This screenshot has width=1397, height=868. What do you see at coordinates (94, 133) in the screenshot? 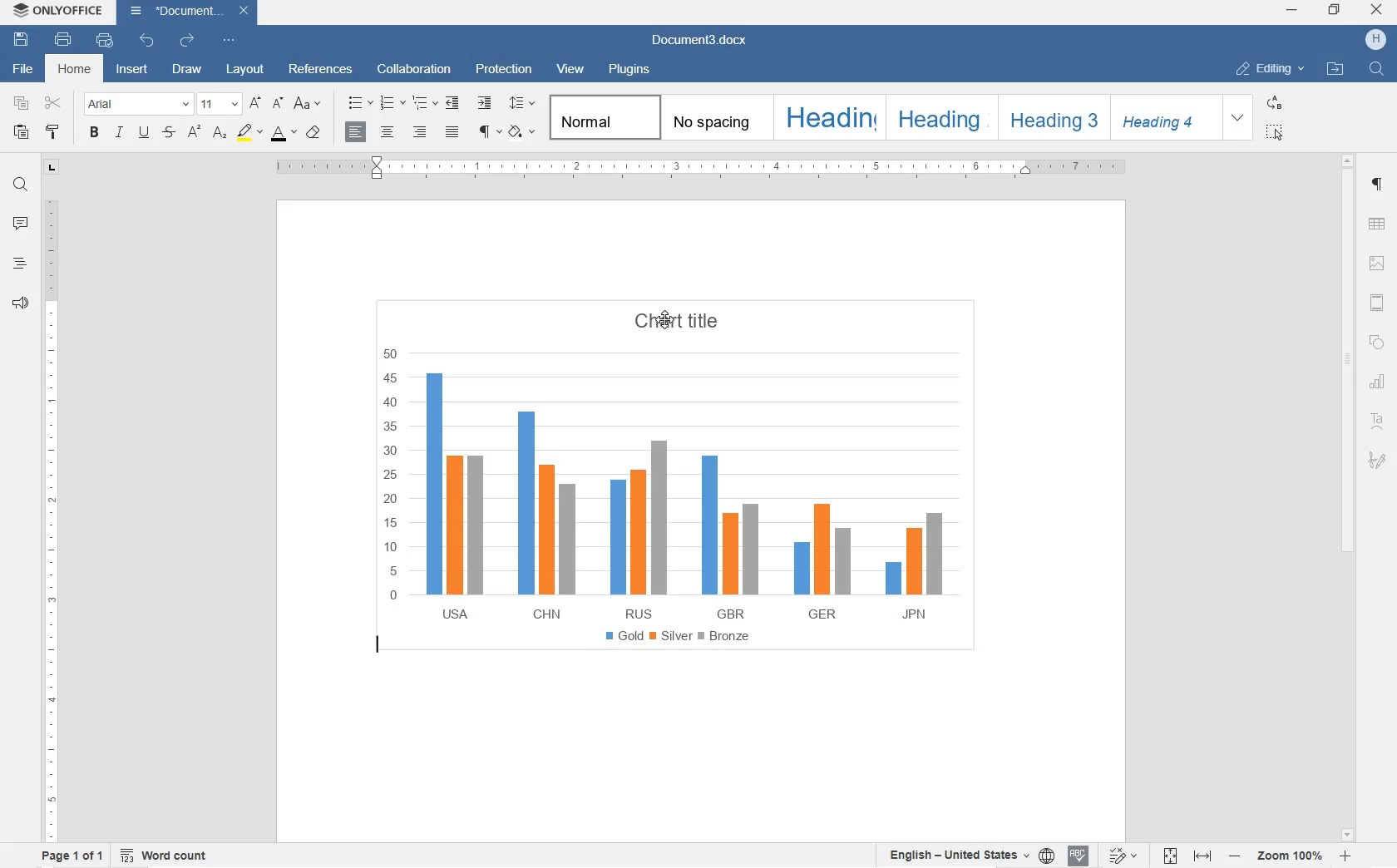
I see `BOLD` at bounding box center [94, 133].